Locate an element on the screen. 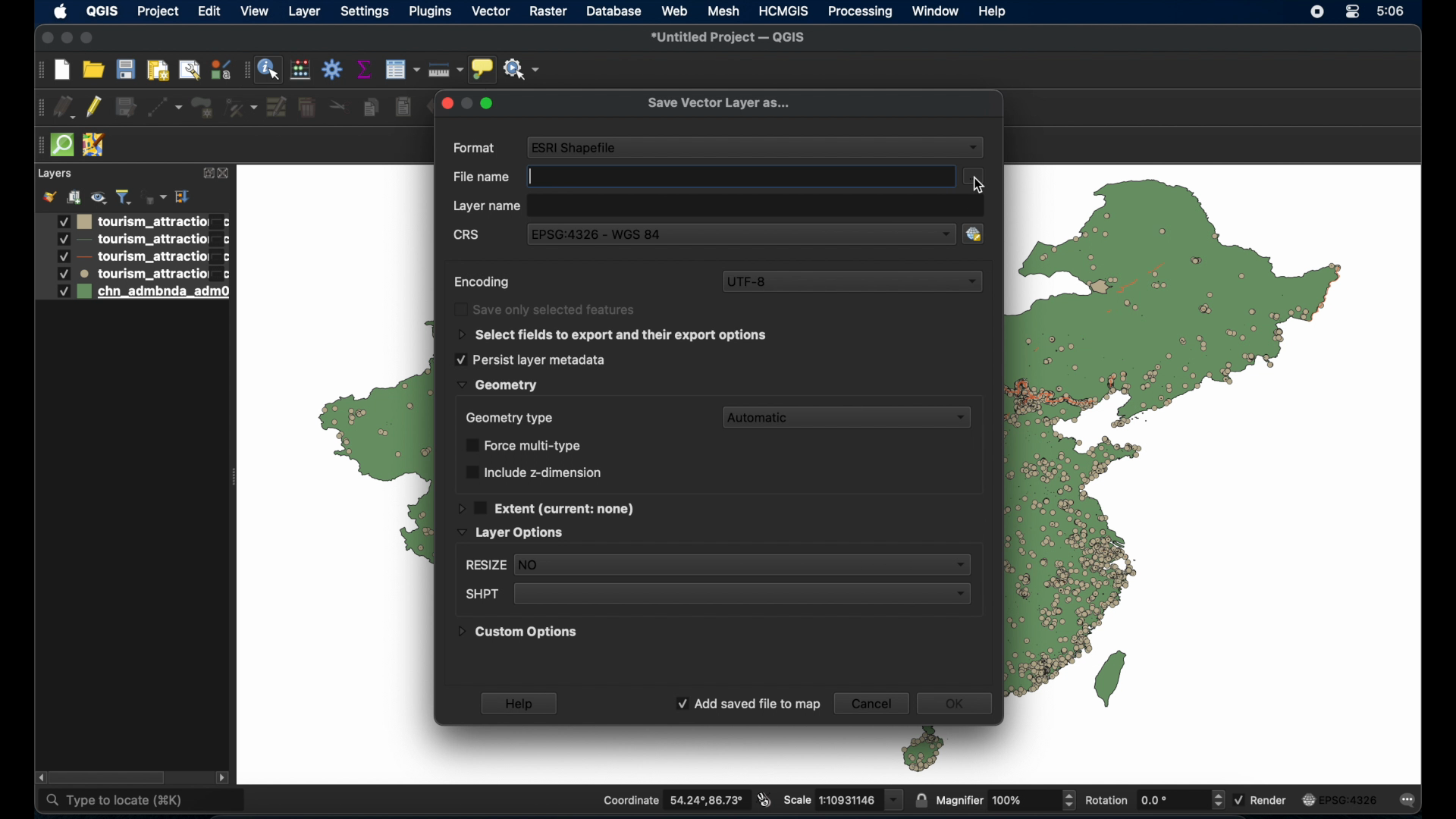 This screenshot has width=1456, height=819. tags field is located at coordinates (757, 204).